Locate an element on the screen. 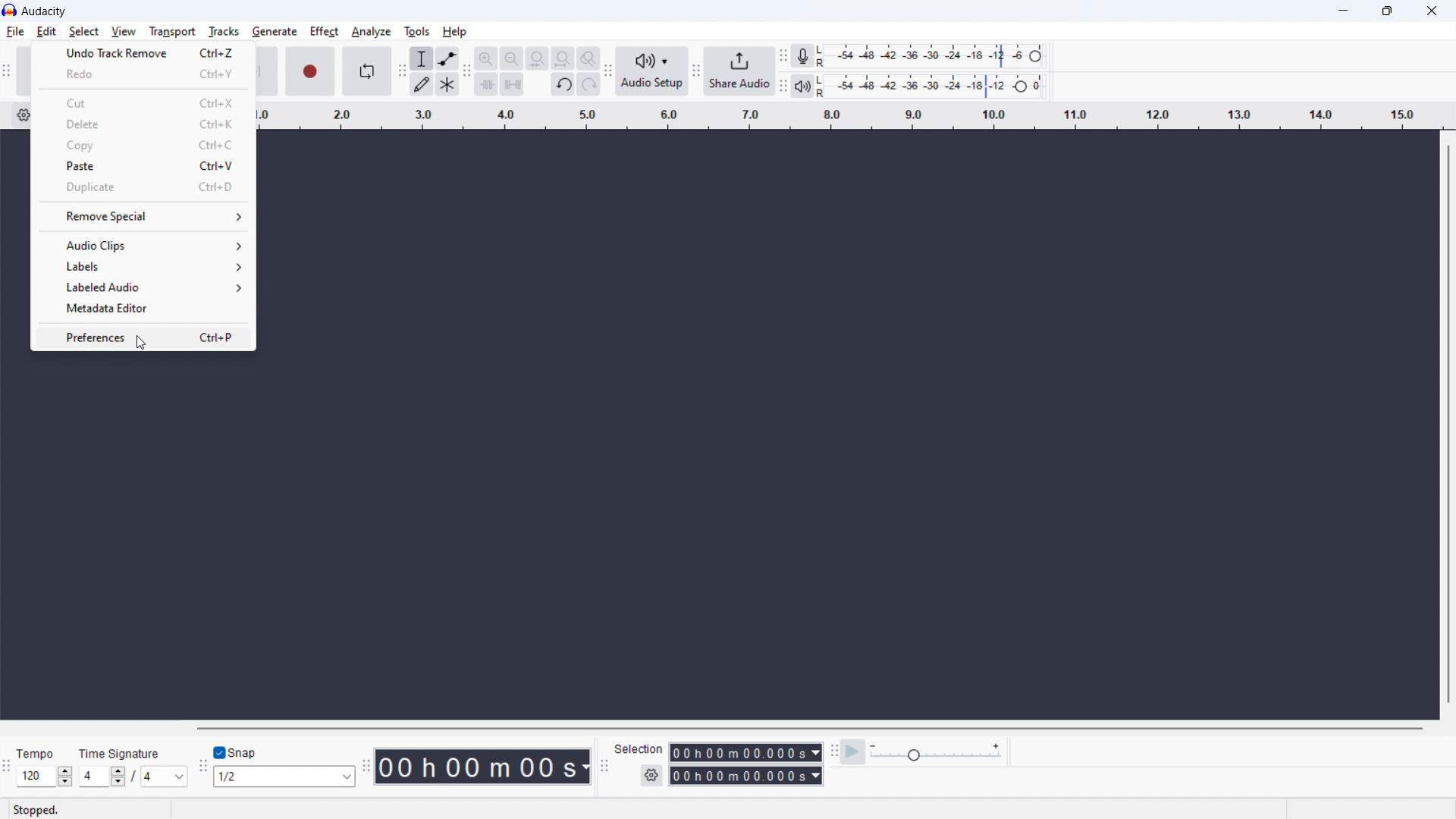  zoom out is located at coordinates (510, 58).